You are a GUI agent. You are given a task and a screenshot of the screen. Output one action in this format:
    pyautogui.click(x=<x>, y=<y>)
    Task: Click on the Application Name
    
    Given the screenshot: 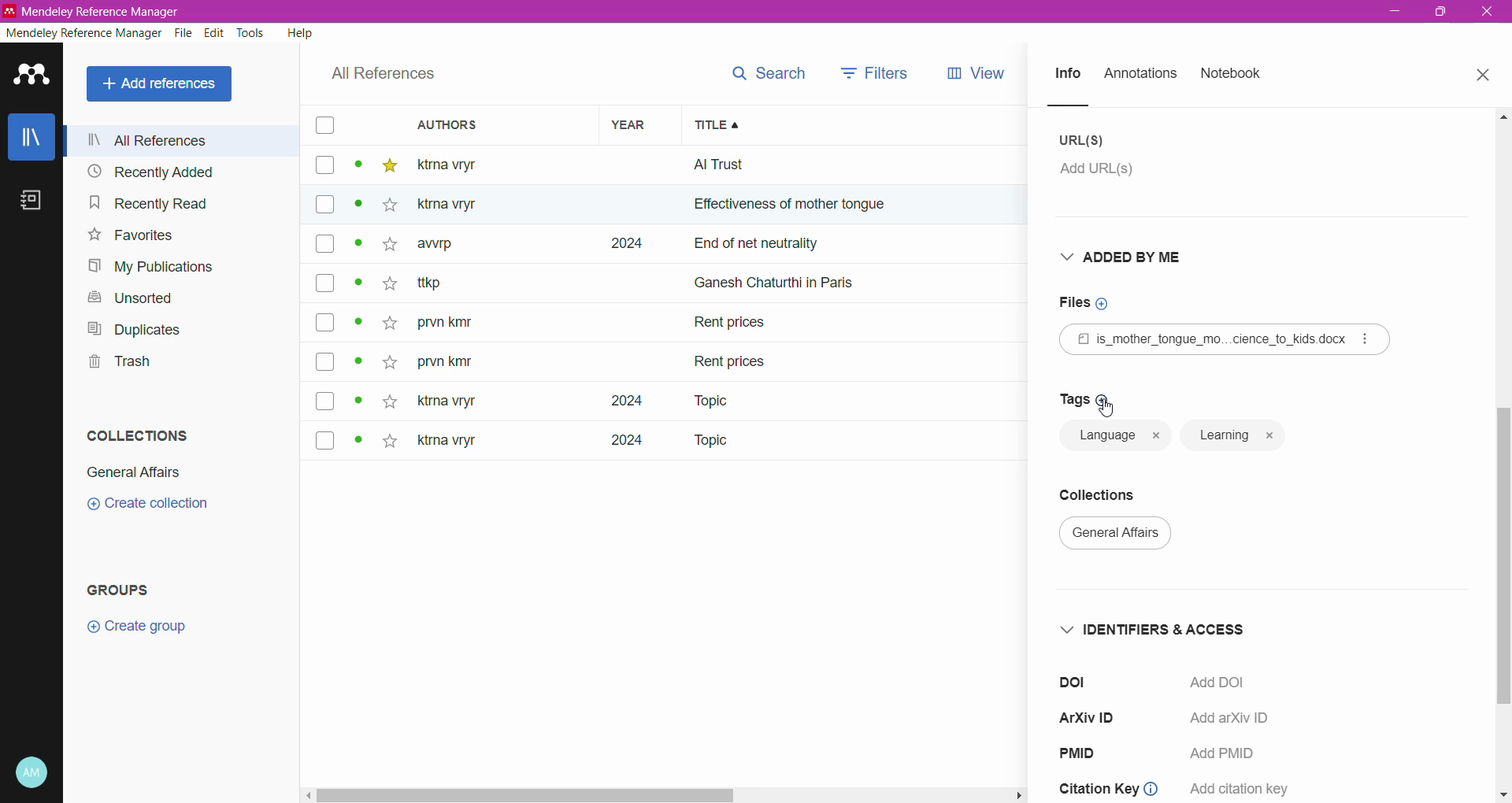 What is the action you would take?
    pyautogui.click(x=107, y=11)
    